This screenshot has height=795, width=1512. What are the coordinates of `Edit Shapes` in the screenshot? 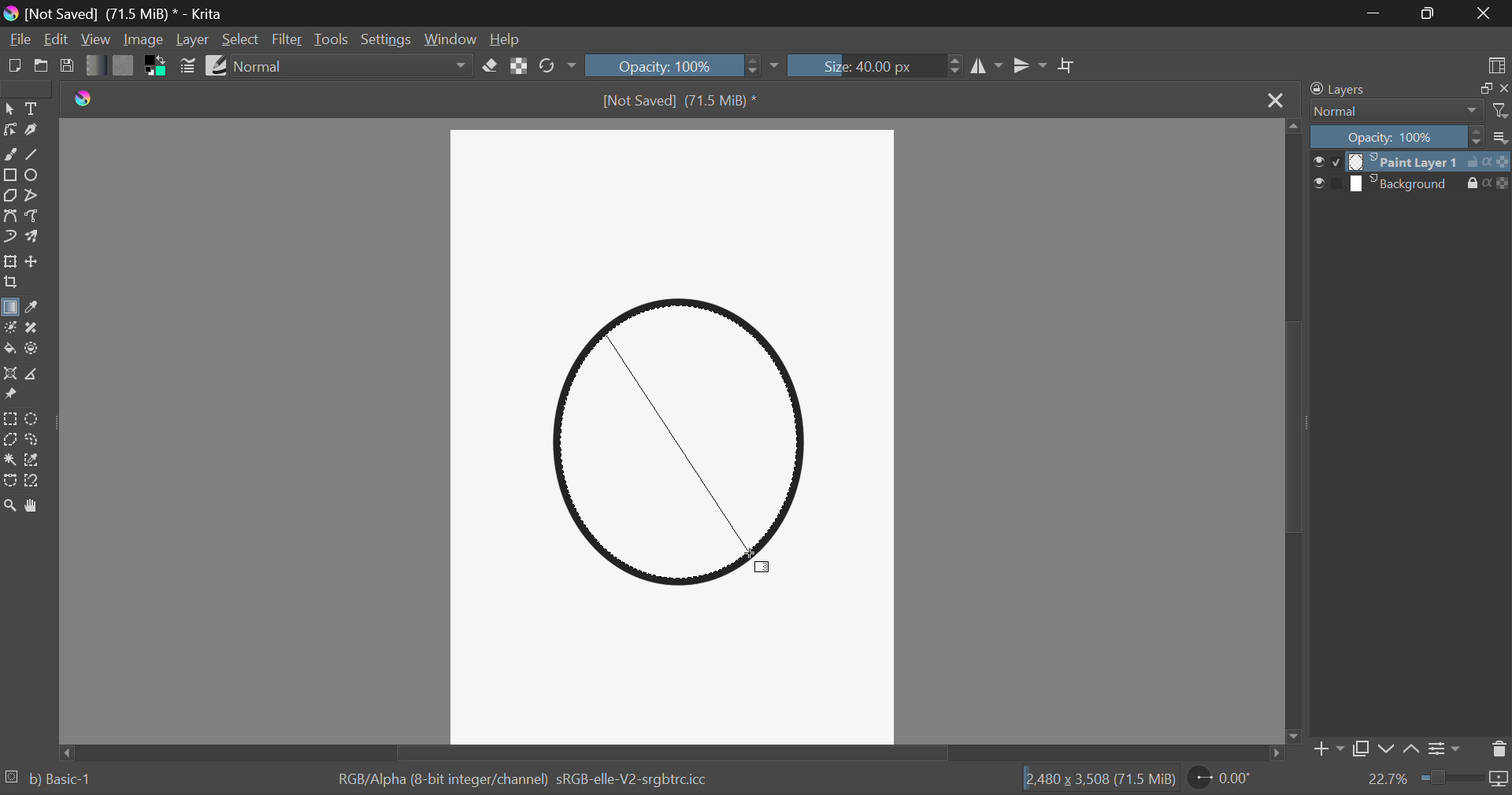 It's located at (9, 131).